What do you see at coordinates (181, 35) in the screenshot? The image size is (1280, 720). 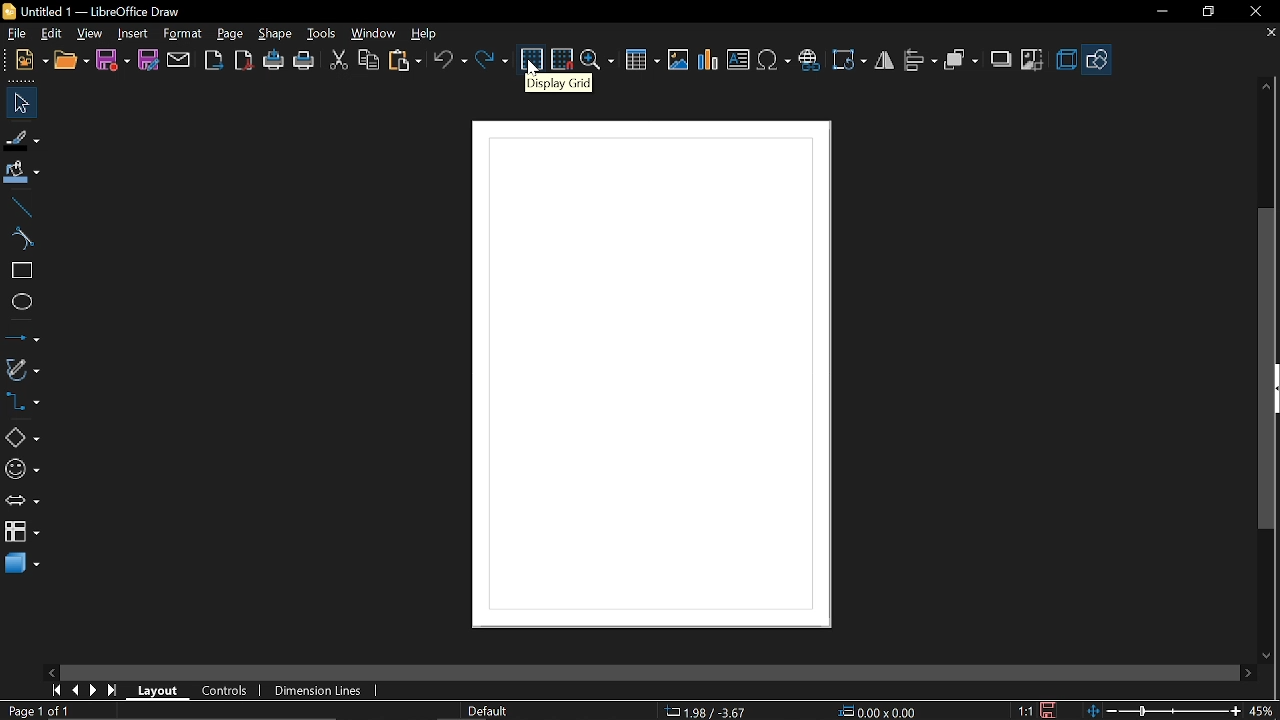 I see `Format` at bounding box center [181, 35].